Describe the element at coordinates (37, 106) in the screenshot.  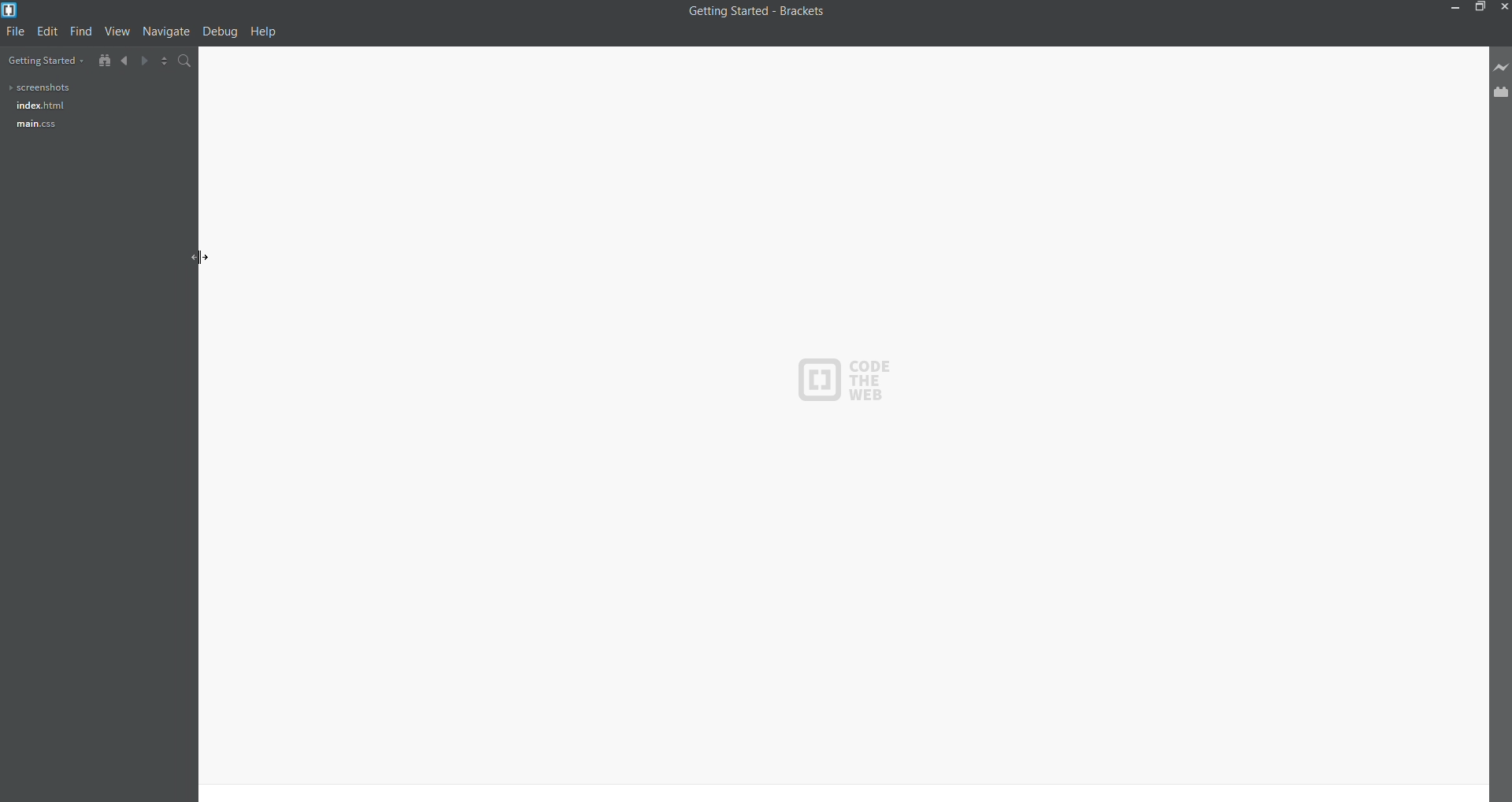
I see `index.html` at that location.